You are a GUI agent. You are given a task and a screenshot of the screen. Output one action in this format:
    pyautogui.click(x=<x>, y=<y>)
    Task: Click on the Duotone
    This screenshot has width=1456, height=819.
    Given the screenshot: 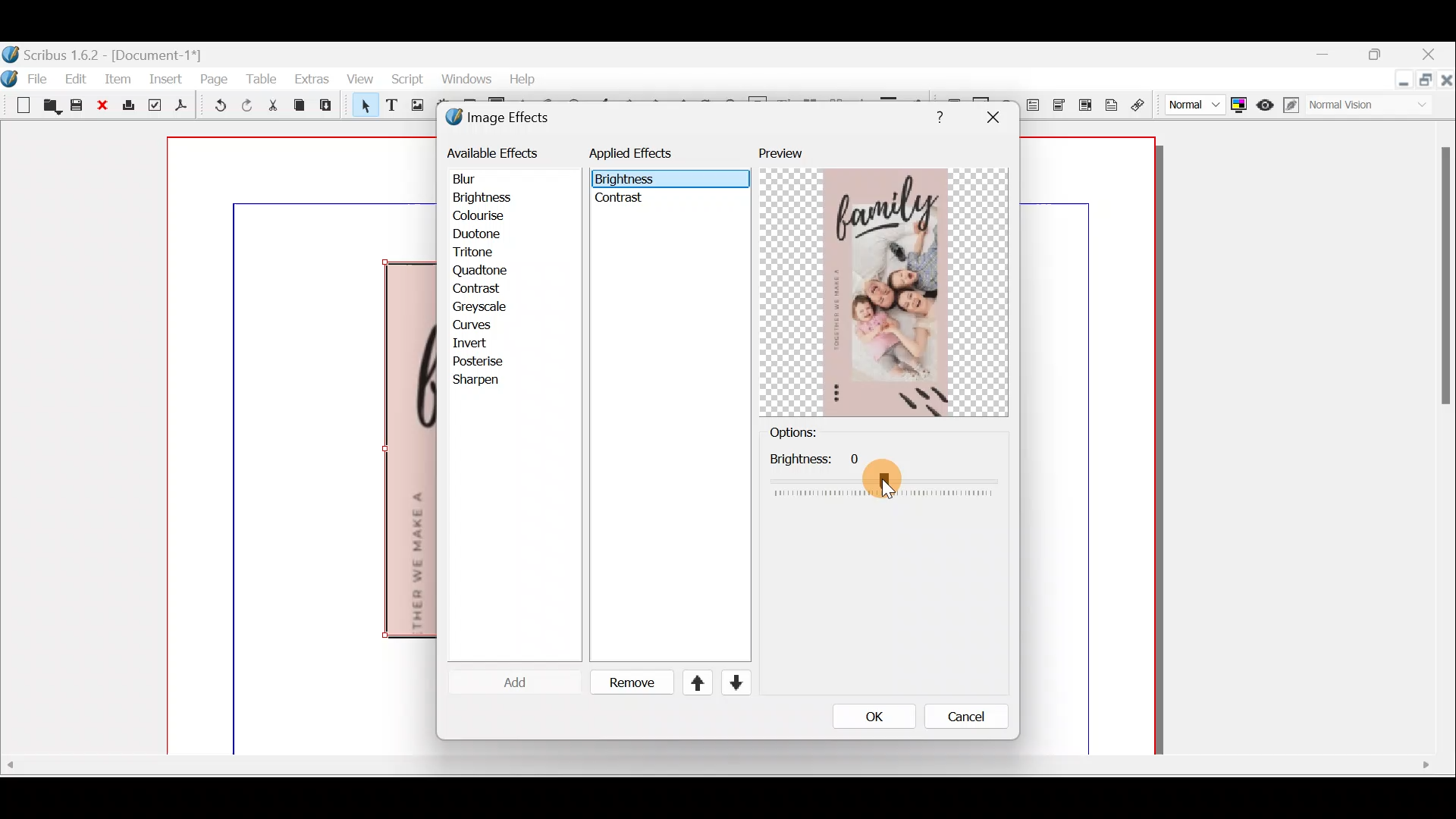 What is the action you would take?
    pyautogui.click(x=480, y=236)
    